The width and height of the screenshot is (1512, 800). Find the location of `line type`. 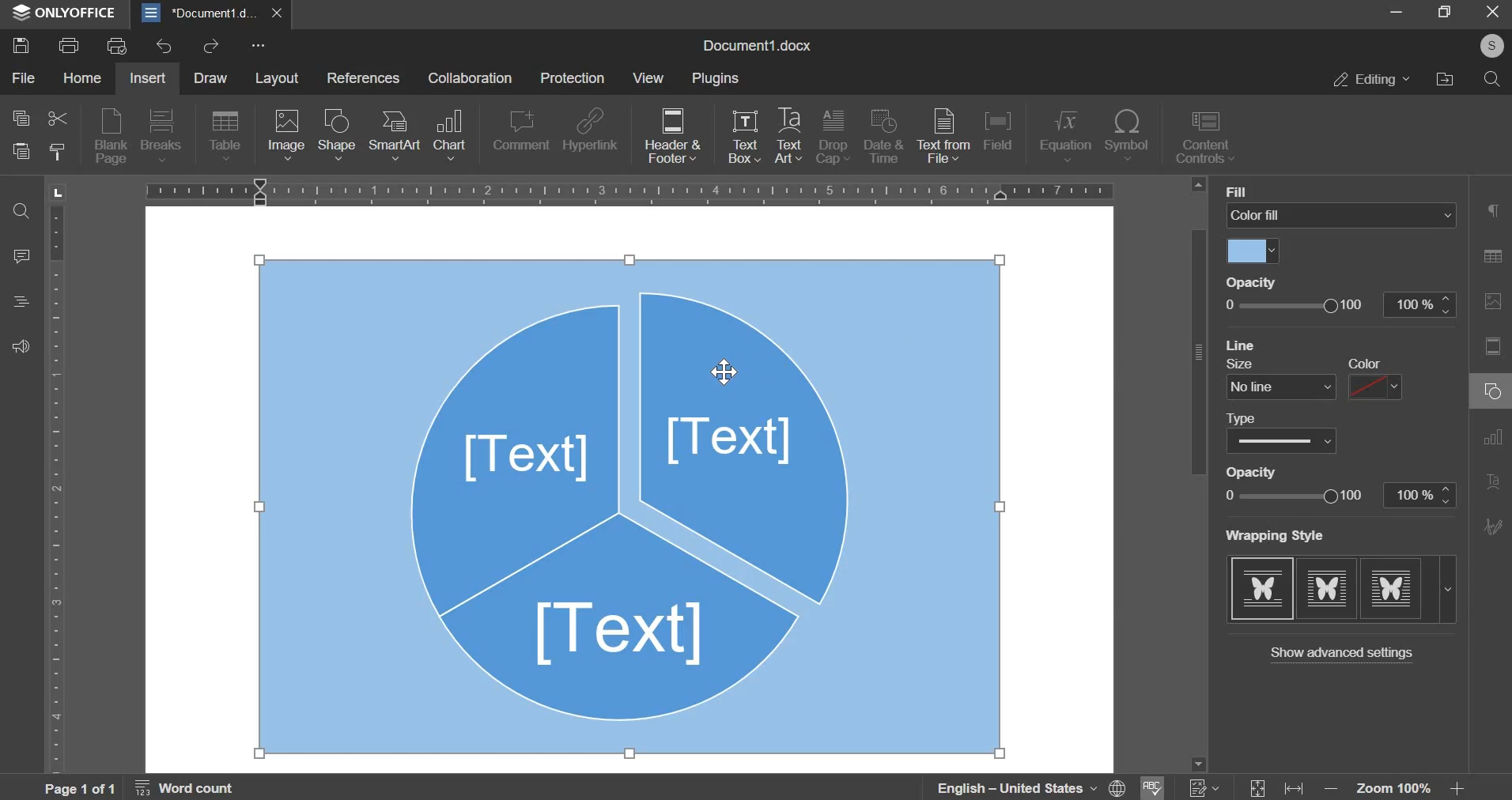

line type is located at coordinates (1282, 440).